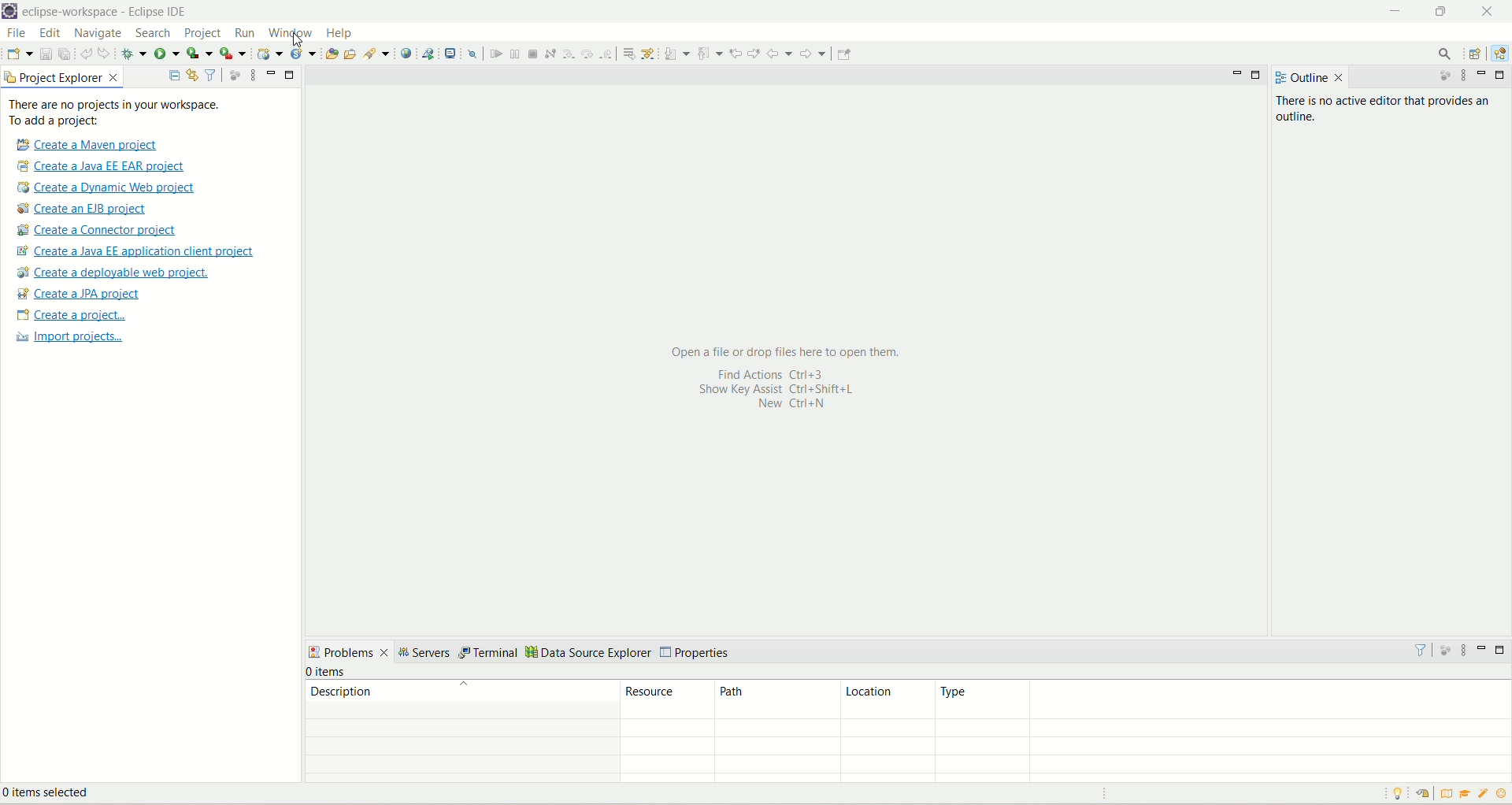 This screenshot has width=1512, height=805. What do you see at coordinates (243, 32) in the screenshot?
I see `run` at bounding box center [243, 32].